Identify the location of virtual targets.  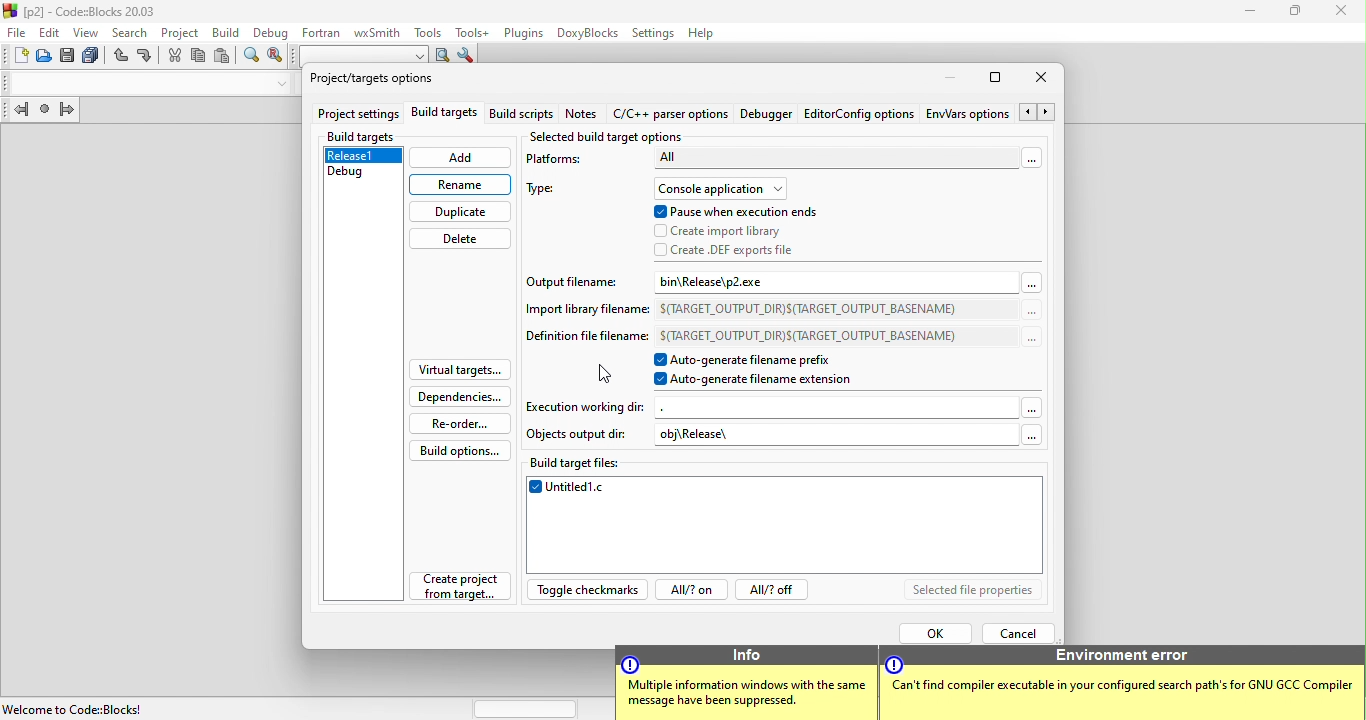
(458, 370).